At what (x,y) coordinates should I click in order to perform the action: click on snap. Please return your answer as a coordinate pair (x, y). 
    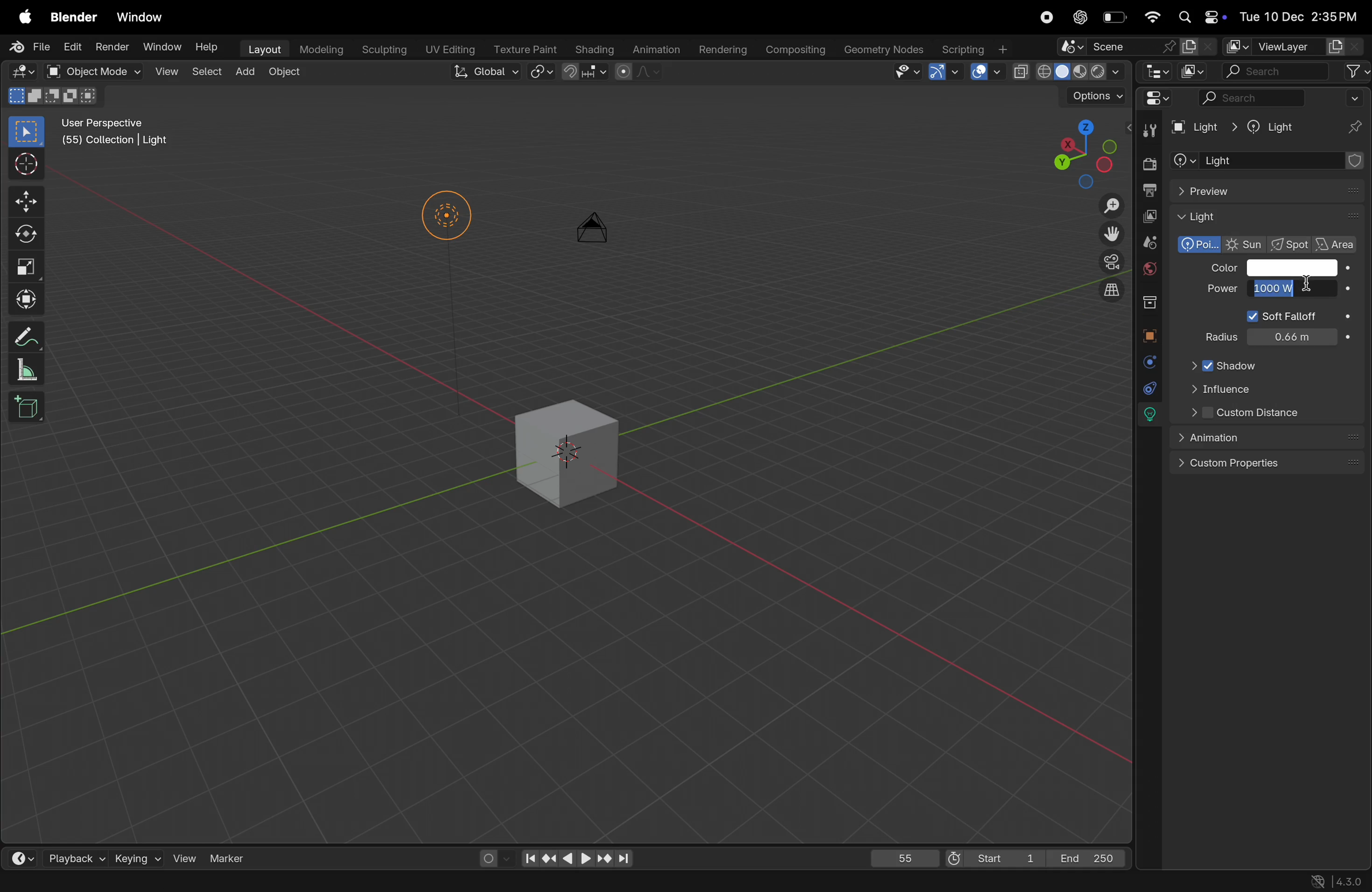
    Looking at the image, I should click on (541, 73).